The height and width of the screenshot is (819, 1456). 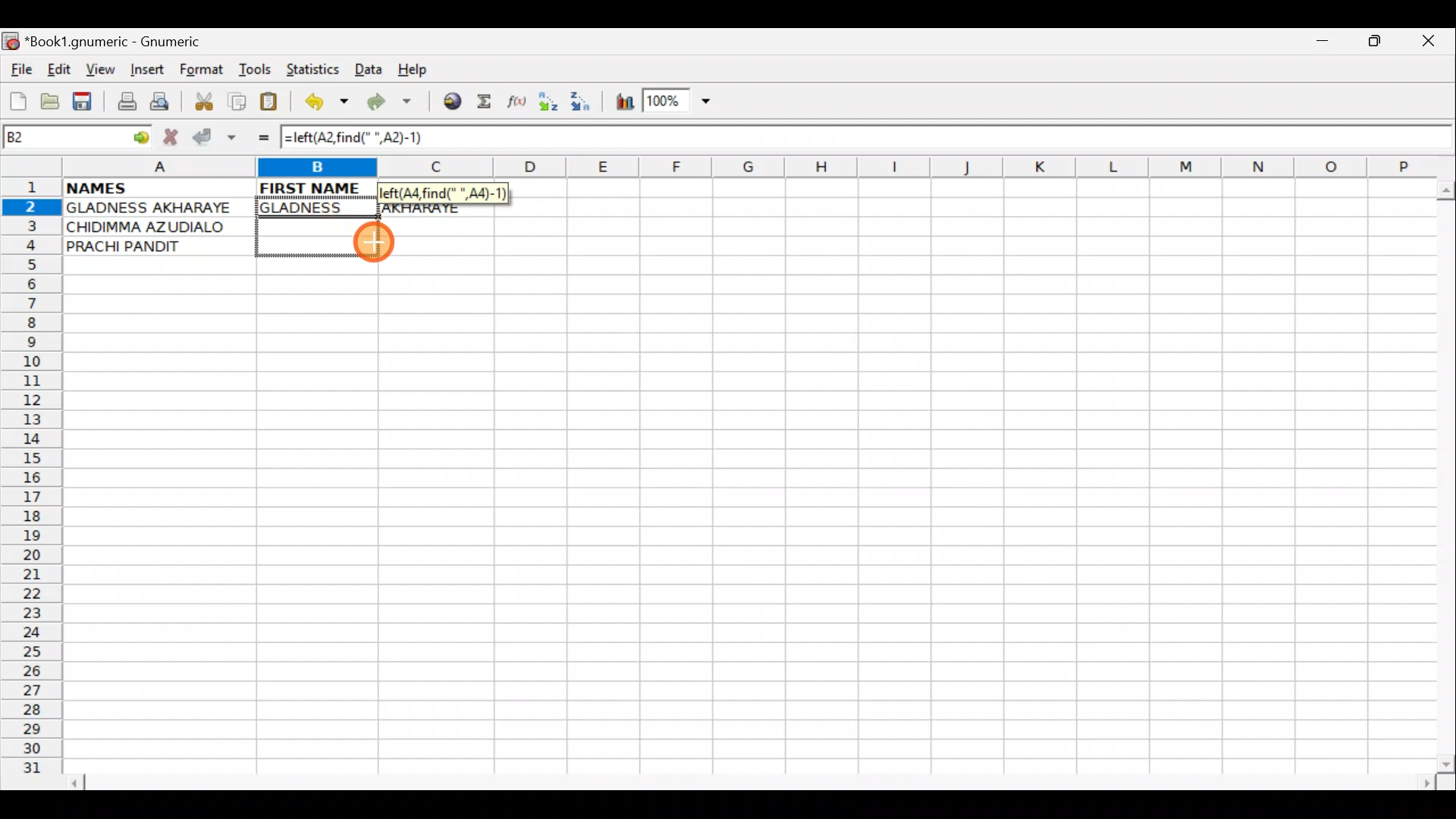 What do you see at coordinates (96, 69) in the screenshot?
I see `View` at bounding box center [96, 69].